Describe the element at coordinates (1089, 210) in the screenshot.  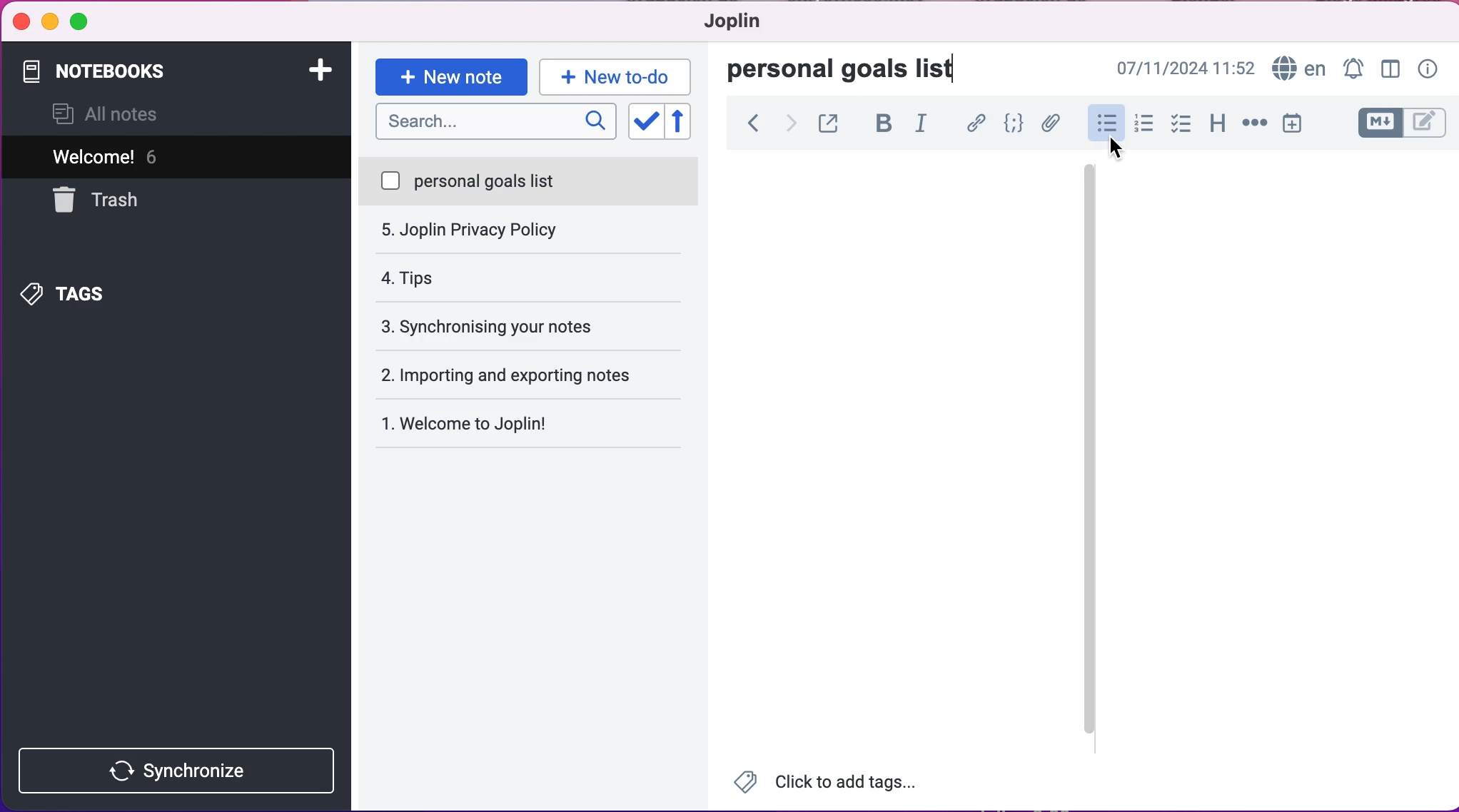
I see `vertical slider` at that location.